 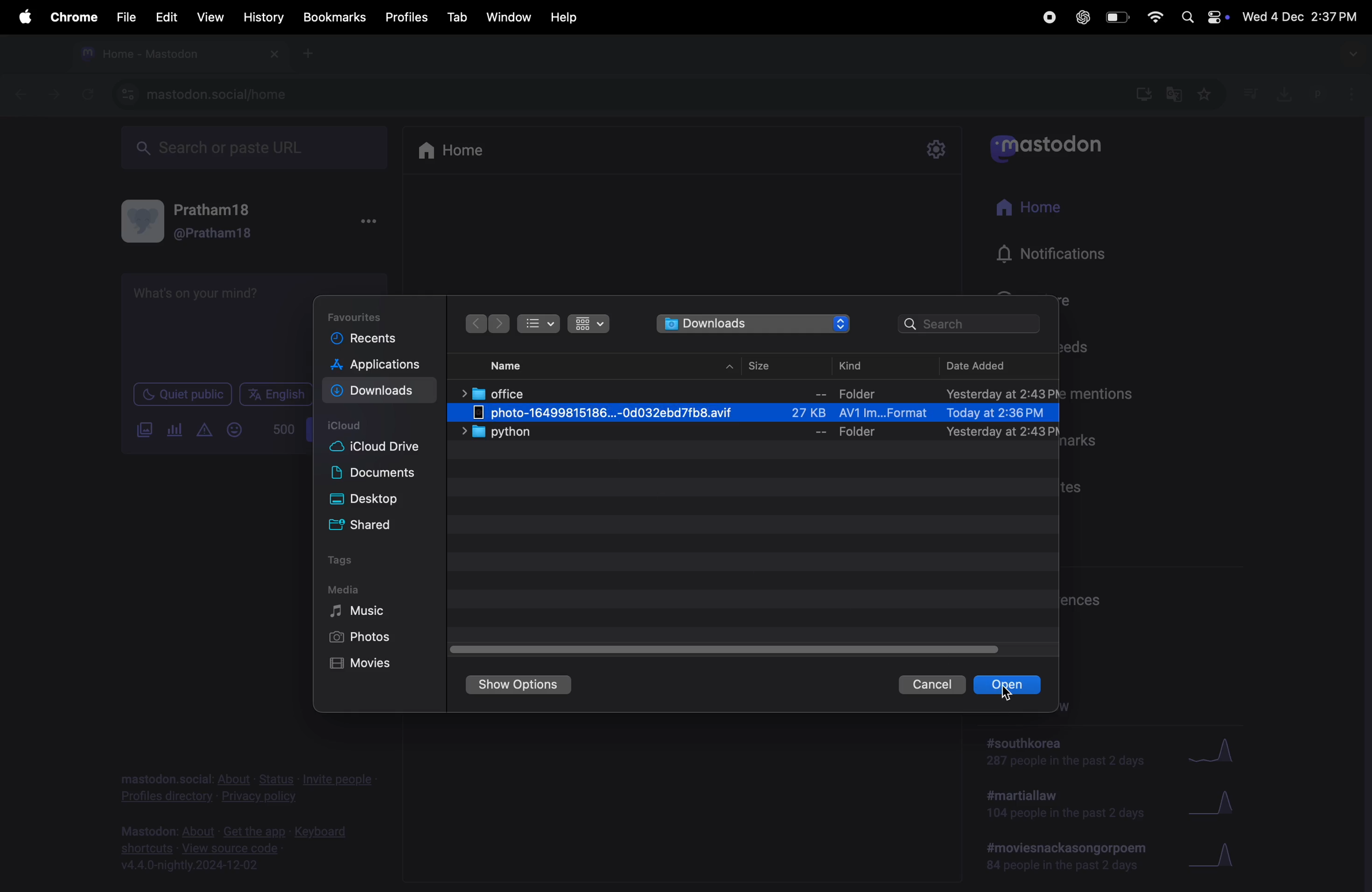 What do you see at coordinates (281, 429) in the screenshot?
I see `500 words` at bounding box center [281, 429].